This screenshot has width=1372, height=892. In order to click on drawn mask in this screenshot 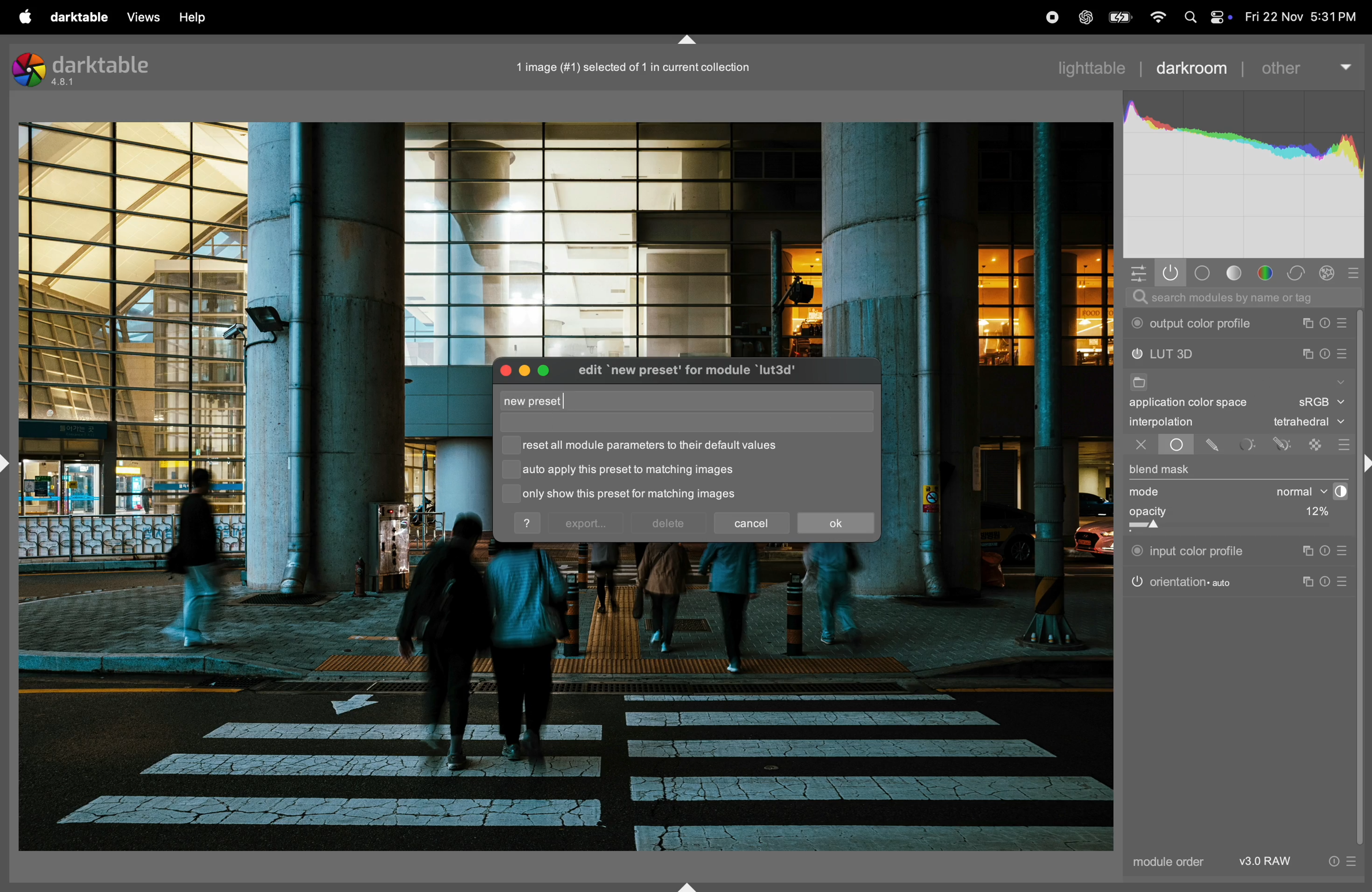, I will do `click(1215, 445)`.